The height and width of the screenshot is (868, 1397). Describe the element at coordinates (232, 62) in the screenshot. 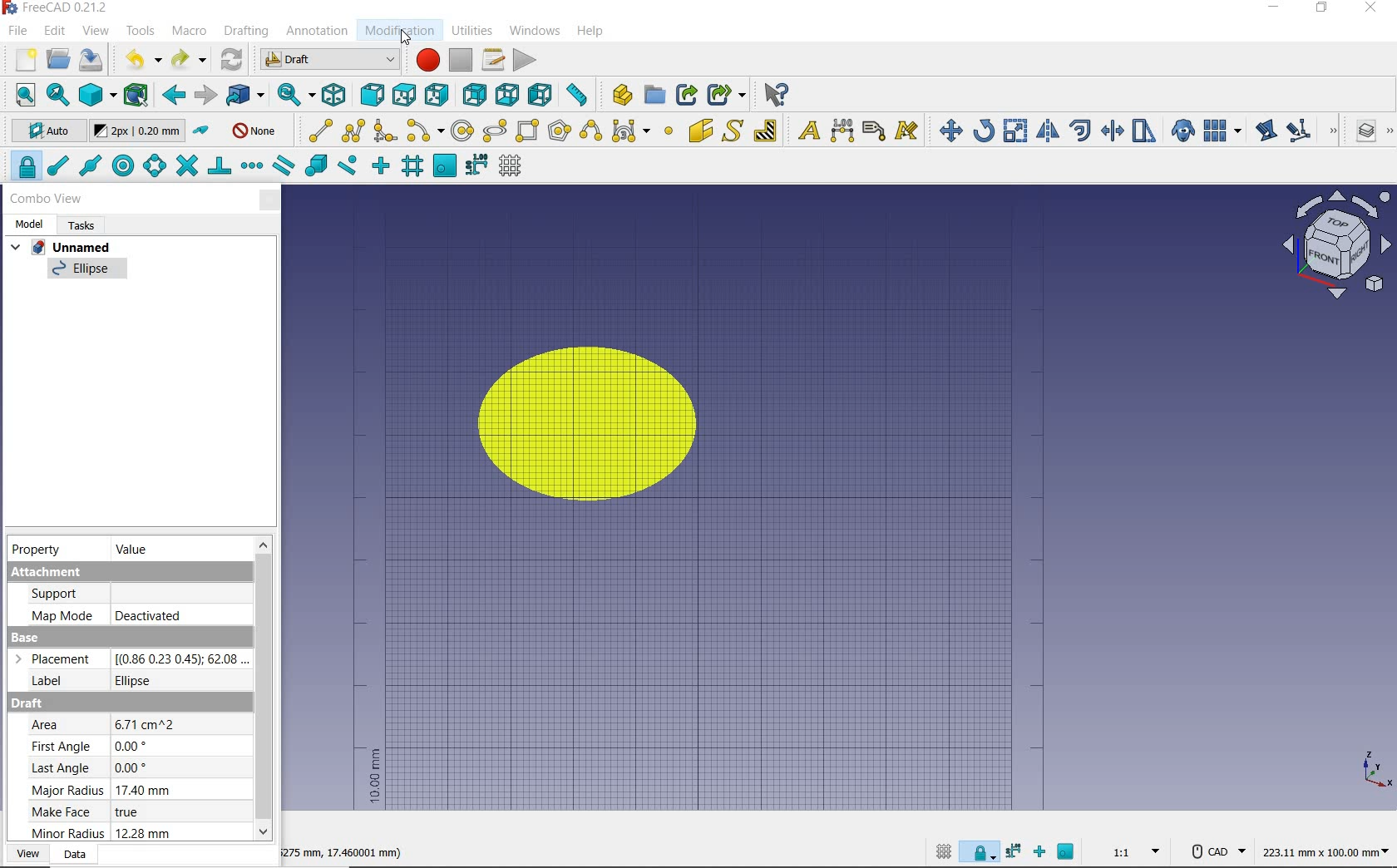

I see `refresh` at that location.